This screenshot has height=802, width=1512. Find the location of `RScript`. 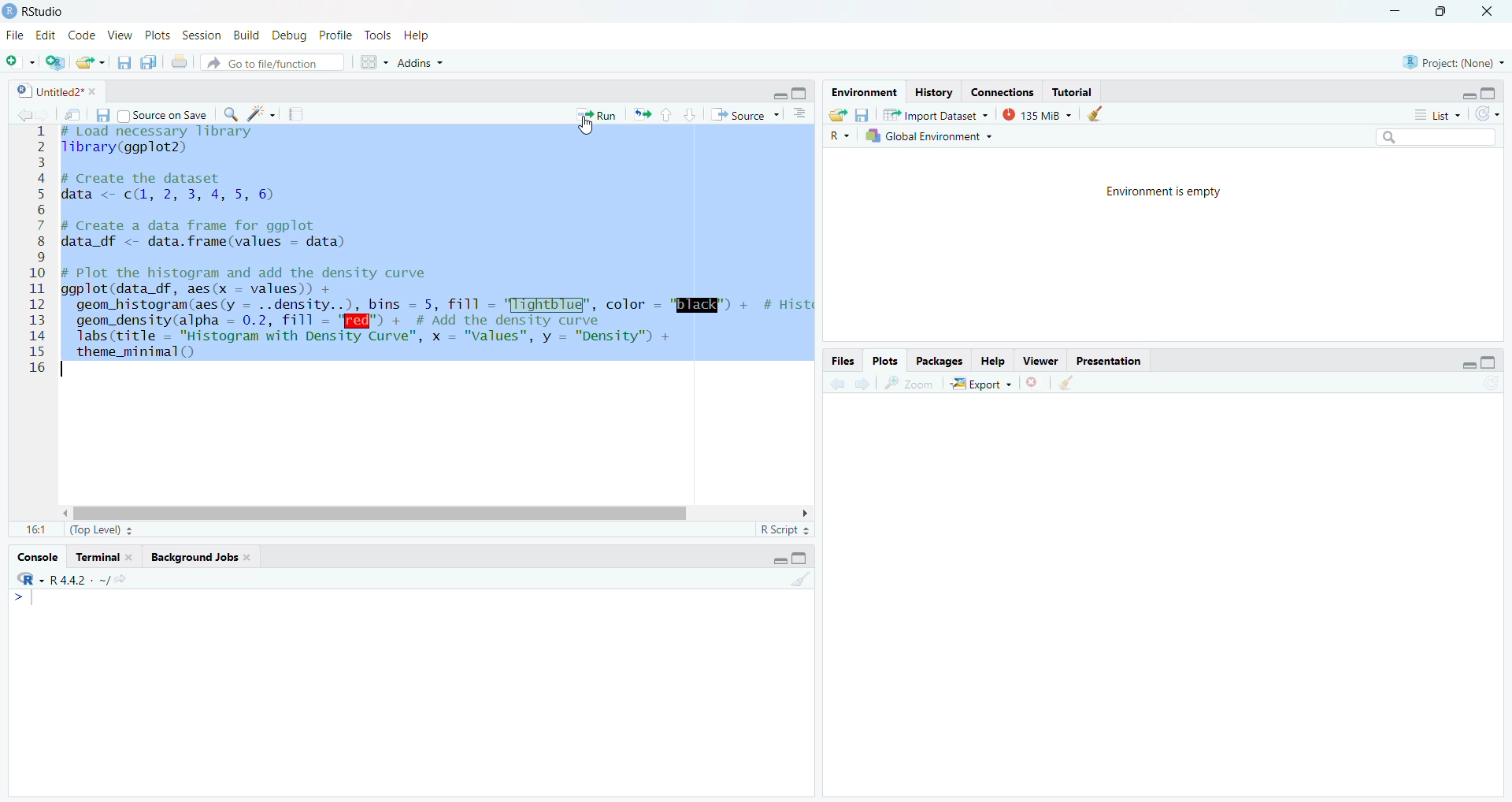

RScript is located at coordinates (784, 528).